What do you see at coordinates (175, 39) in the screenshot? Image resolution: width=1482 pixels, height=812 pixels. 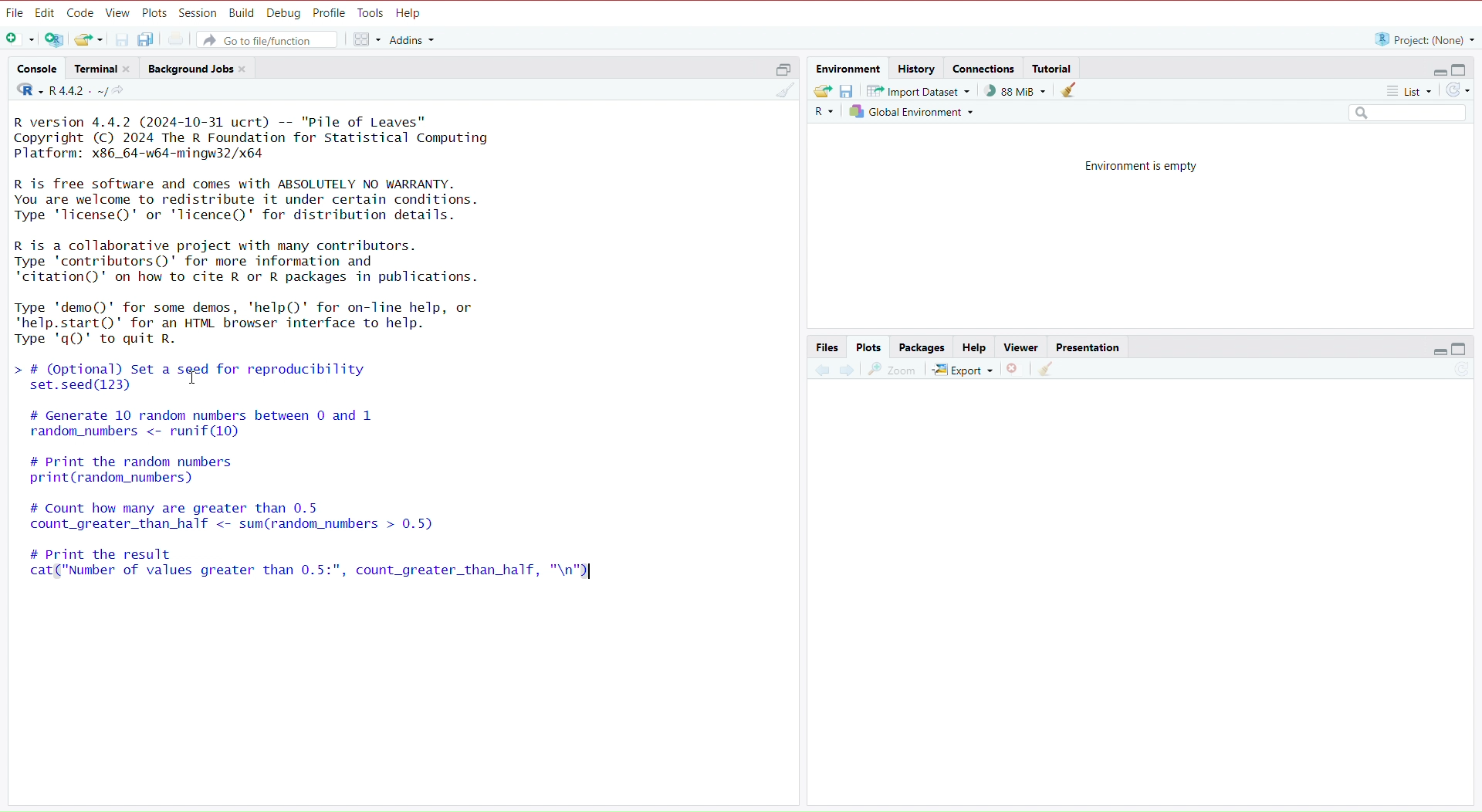 I see `Print` at bounding box center [175, 39].